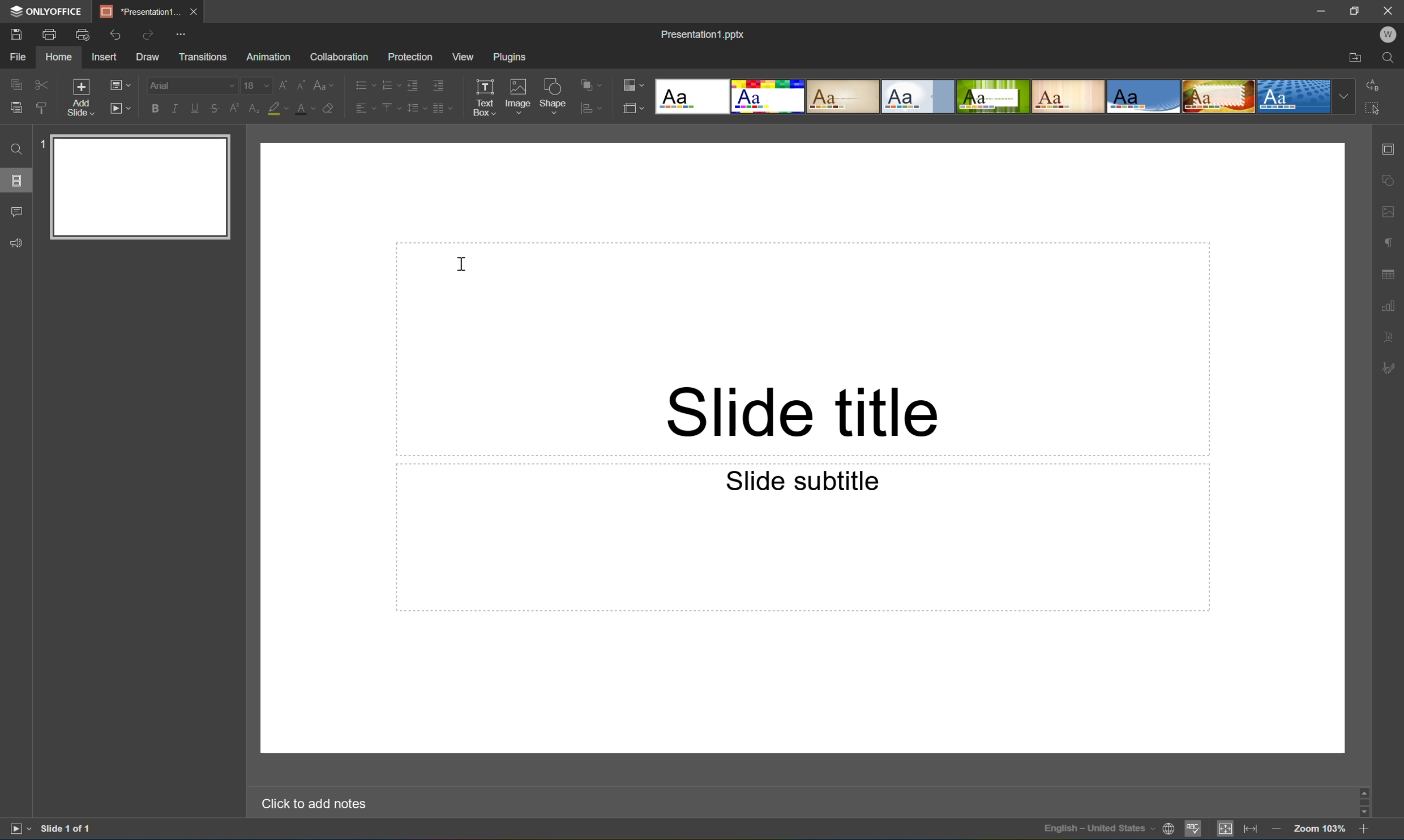 The image size is (1404, 840). I want to click on Increment font size, so click(288, 82).